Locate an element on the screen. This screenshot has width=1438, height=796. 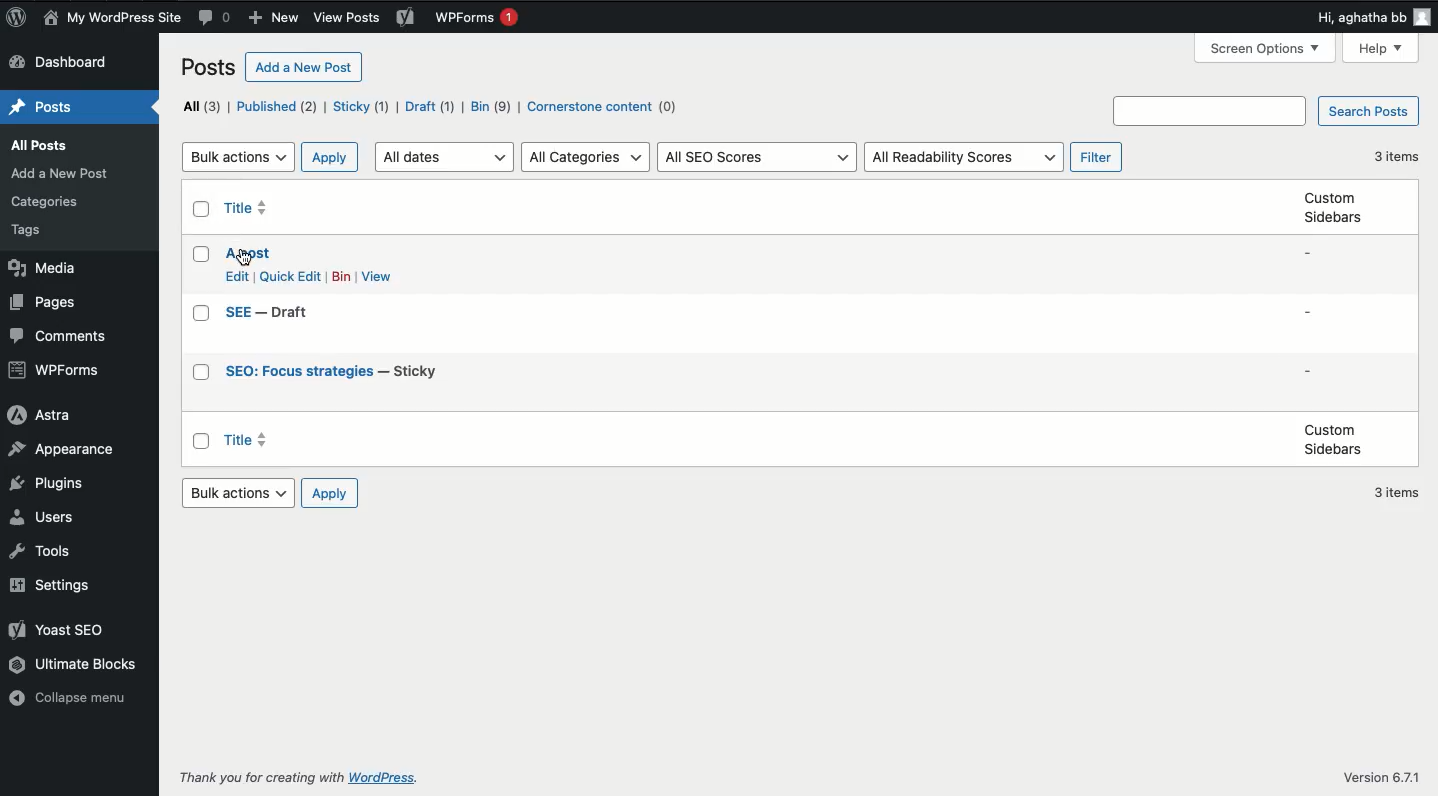
 is located at coordinates (66, 172).